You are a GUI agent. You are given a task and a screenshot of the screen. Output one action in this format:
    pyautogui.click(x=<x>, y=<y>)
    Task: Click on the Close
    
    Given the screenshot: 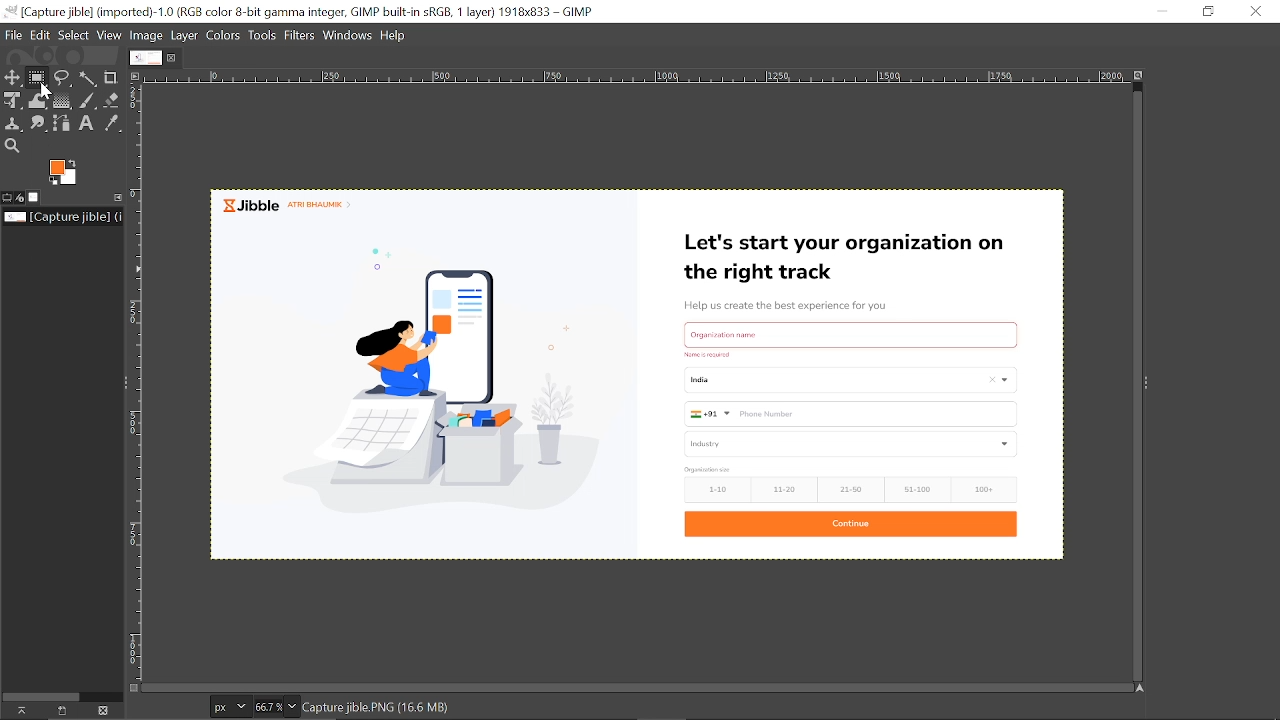 What is the action you would take?
    pyautogui.click(x=1255, y=11)
    